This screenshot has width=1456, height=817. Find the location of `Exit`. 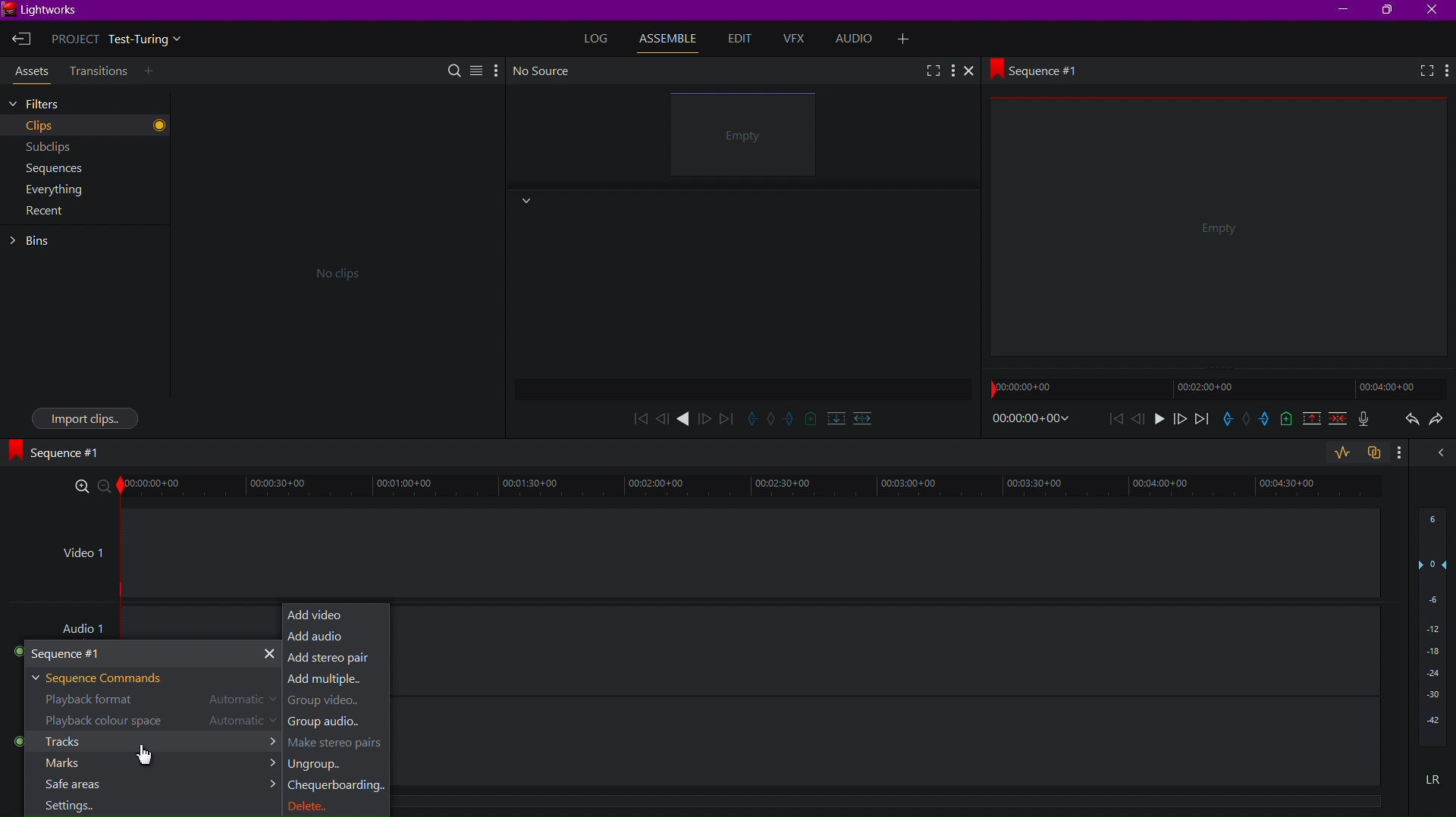

Exit is located at coordinates (21, 40).